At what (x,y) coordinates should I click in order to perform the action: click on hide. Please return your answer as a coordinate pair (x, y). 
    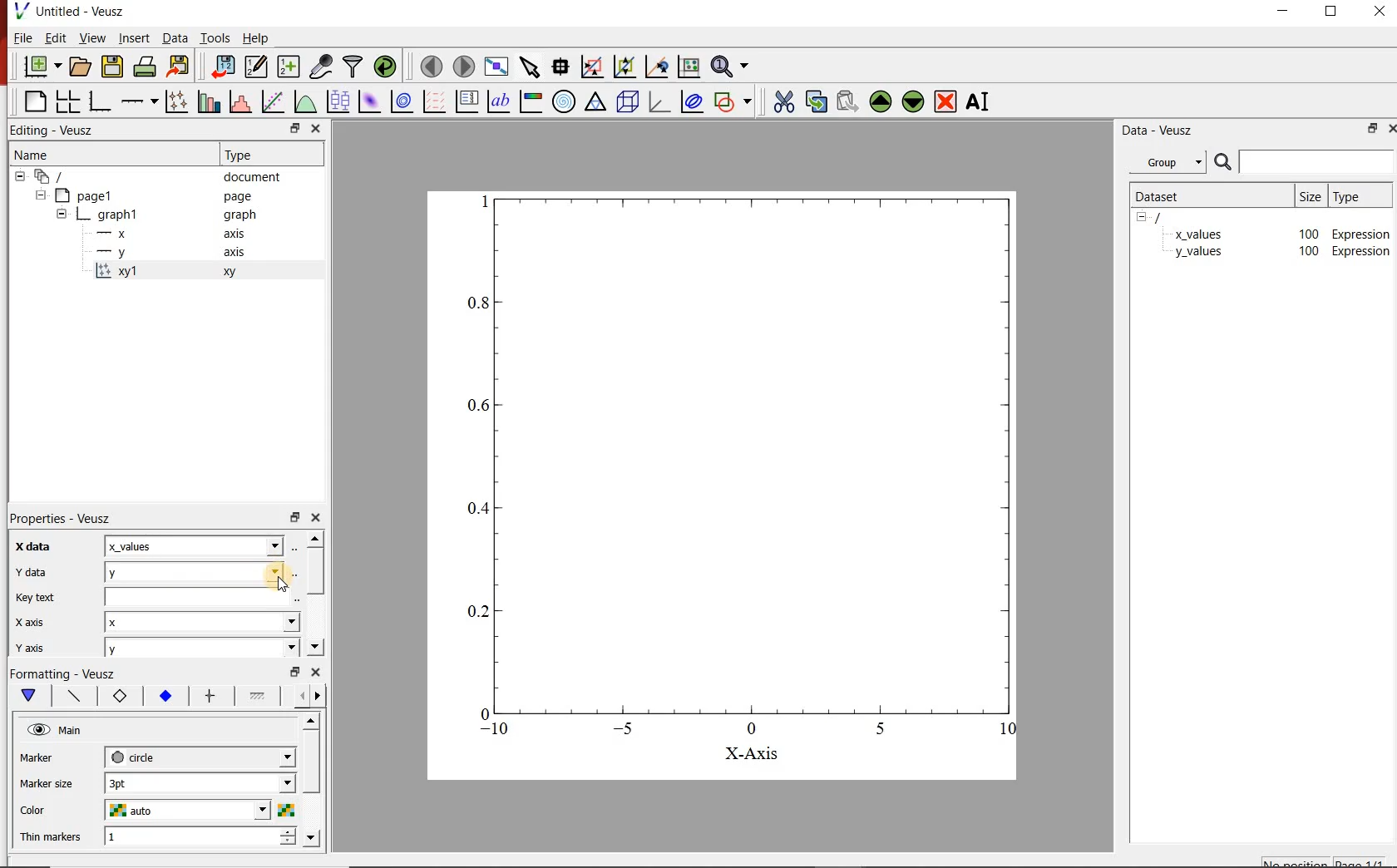
    Looking at the image, I should click on (40, 195).